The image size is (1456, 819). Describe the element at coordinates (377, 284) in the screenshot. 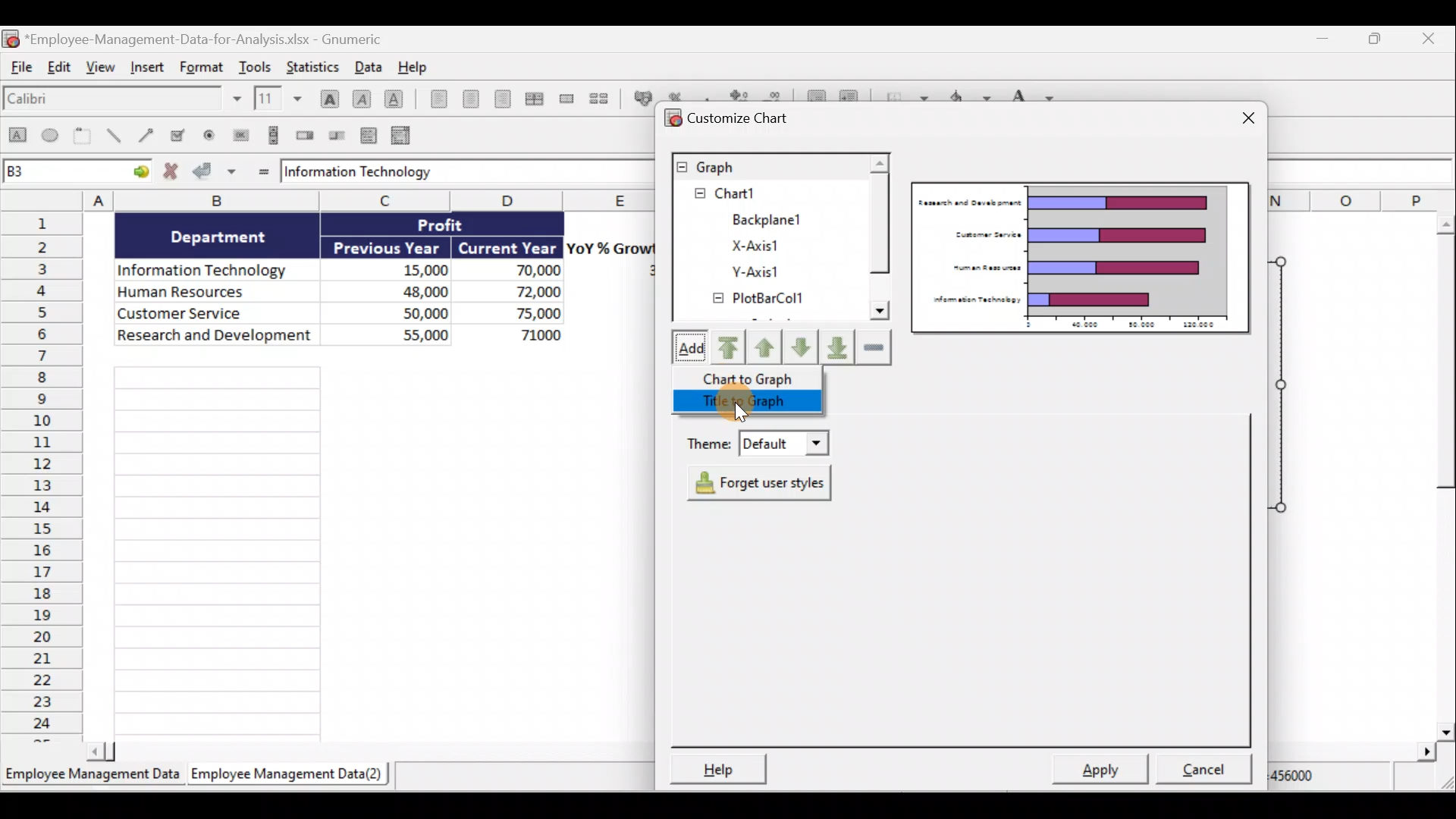

I see `Data` at that location.